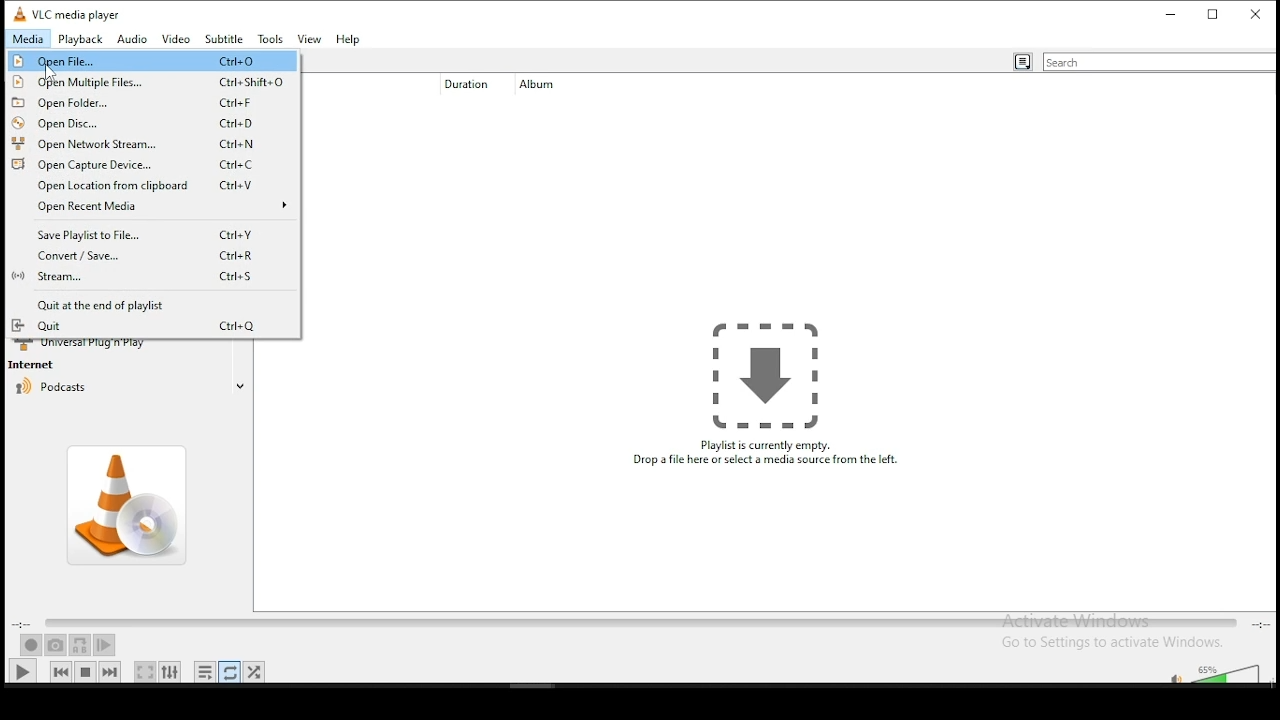  I want to click on toggle playlist view, so click(1022, 63).